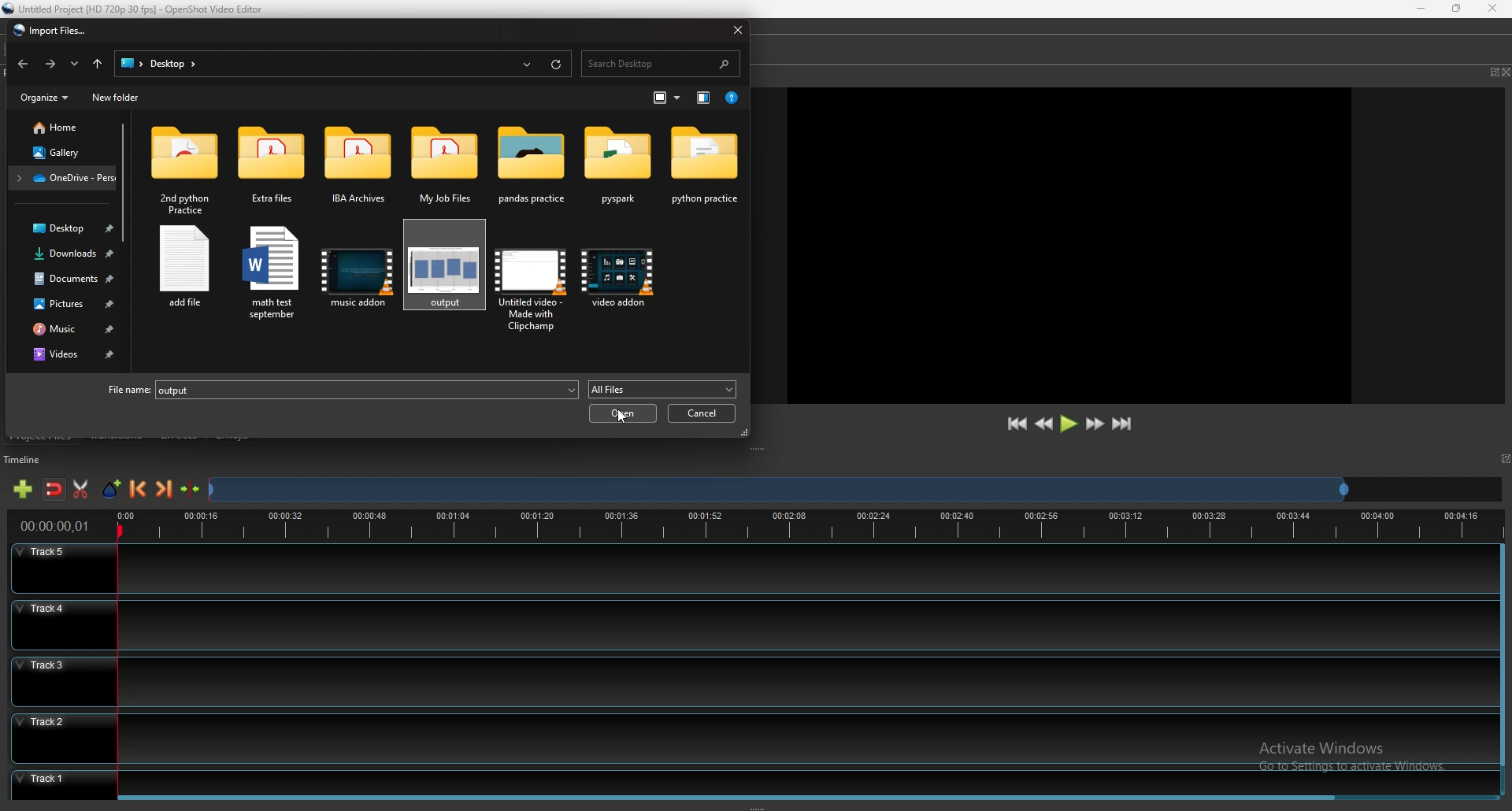 Image resolution: width=1512 pixels, height=811 pixels. Describe the element at coordinates (751, 568) in the screenshot. I see `track 5` at that location.